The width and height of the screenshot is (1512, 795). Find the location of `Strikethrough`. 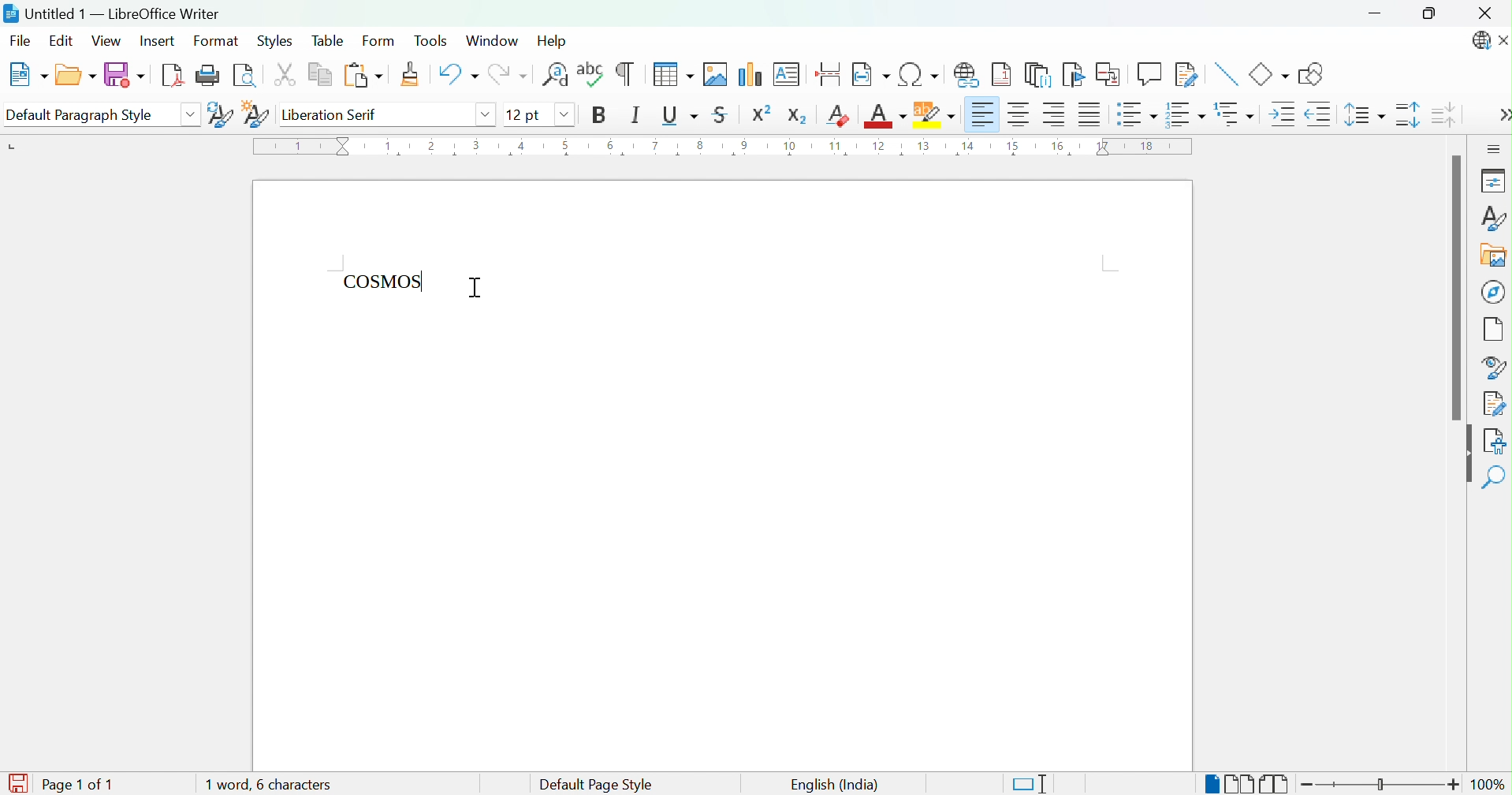

Strikethrough is located at coordinates (721, 117).